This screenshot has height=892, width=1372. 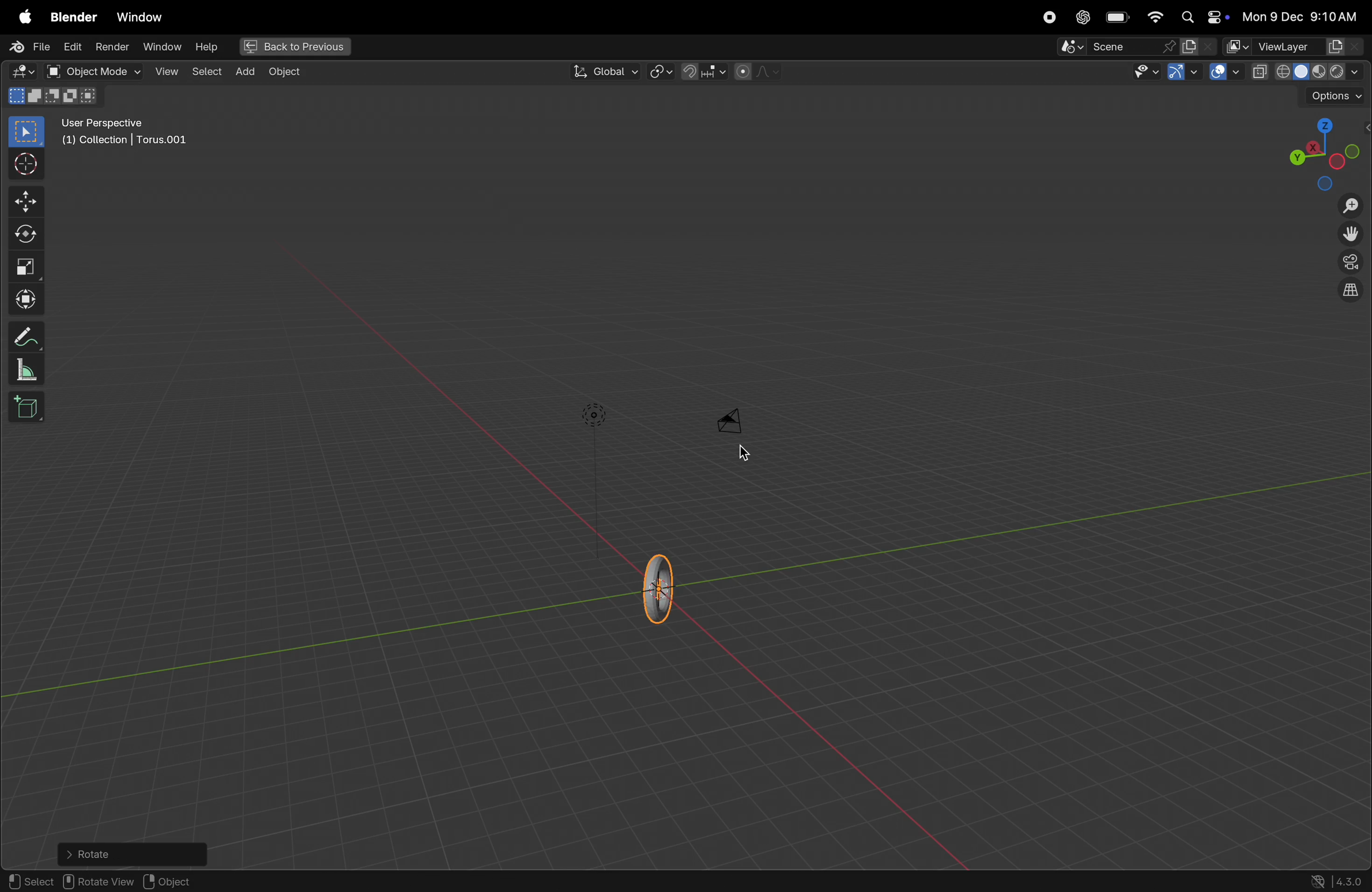 What do you see at coordinates (99, 880) in the screenshot?
I see `rotate view` at bounding box center [99, 880].